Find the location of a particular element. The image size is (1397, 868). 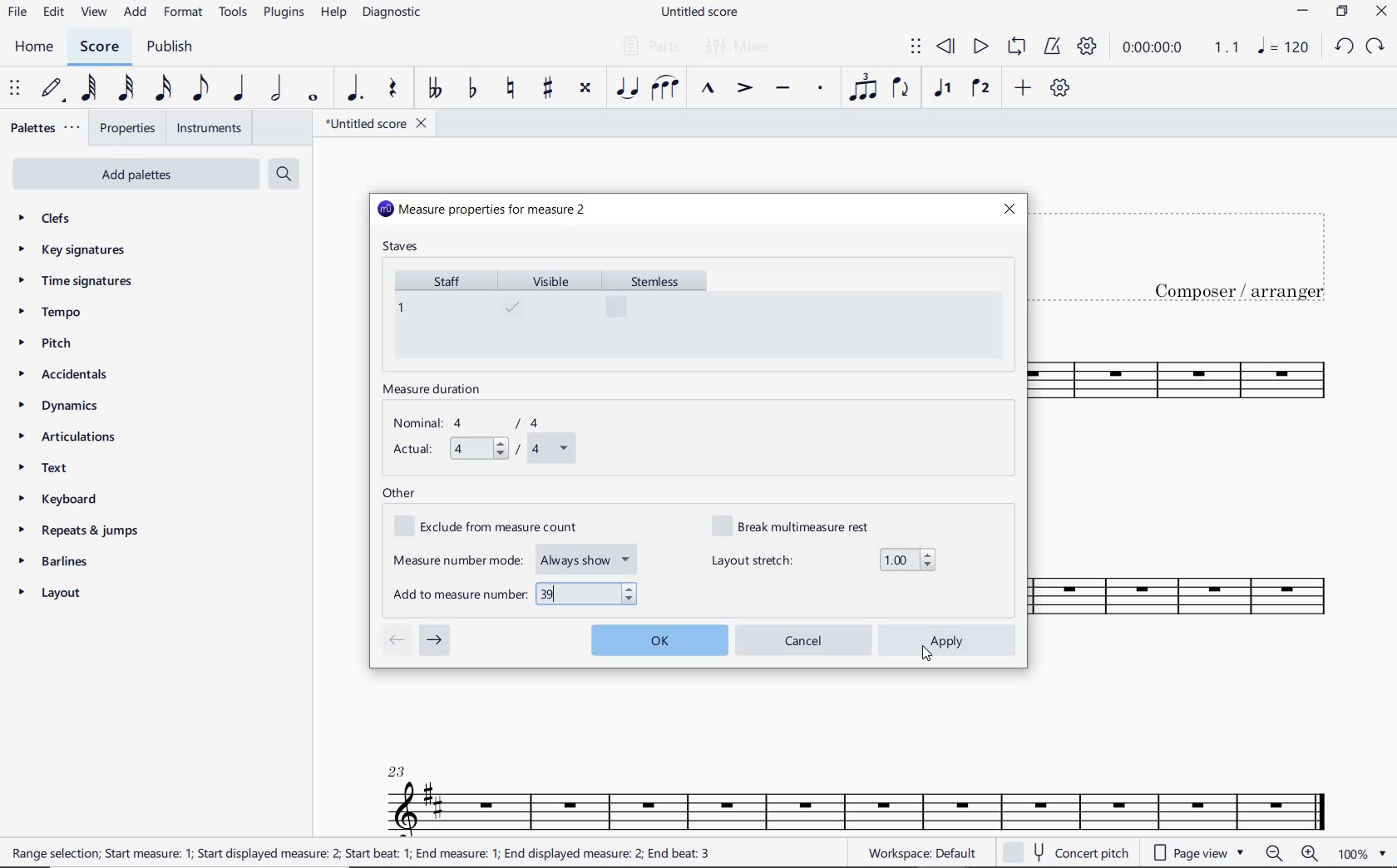

SEARCH PALETTES is located at coordinates (286, 175).